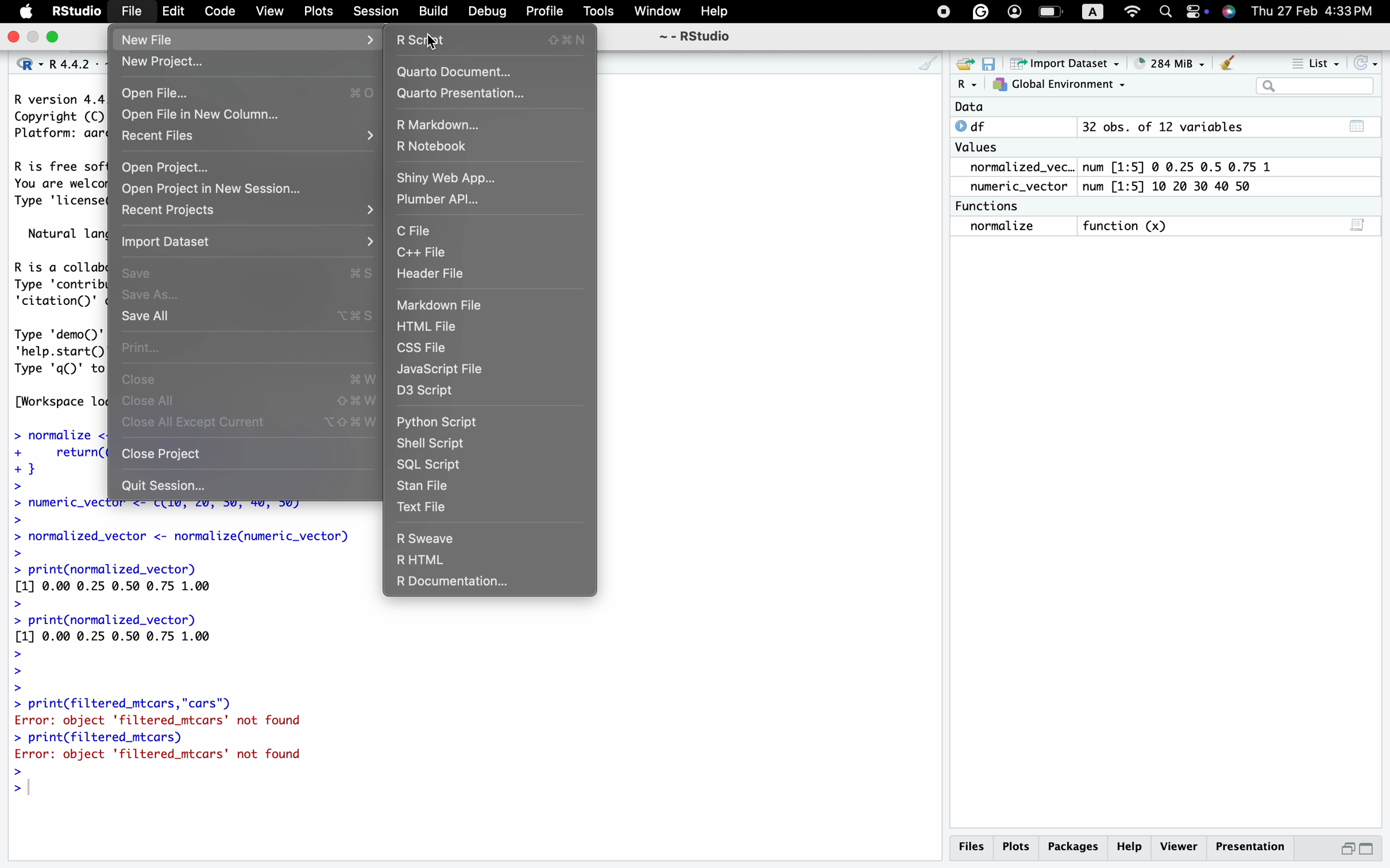 The width and height of the screenshot is (1390, 868). I want to click on Save, so click(248, 272).